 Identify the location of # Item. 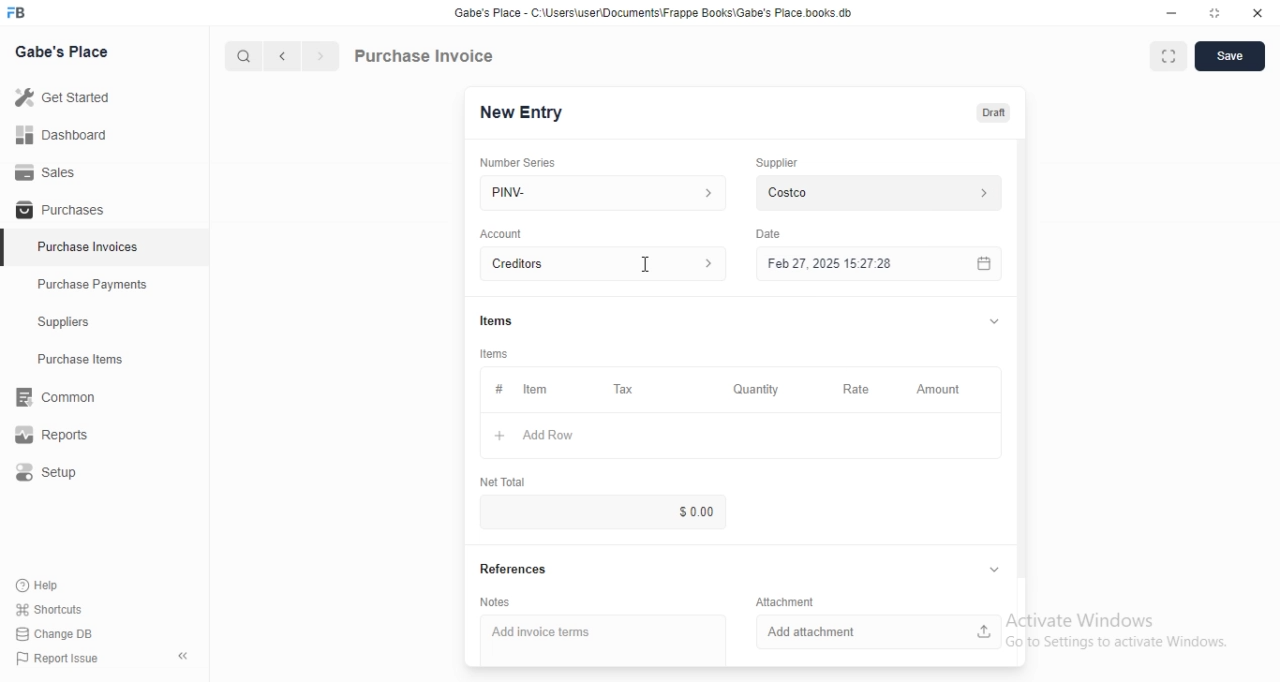
(536, 390).